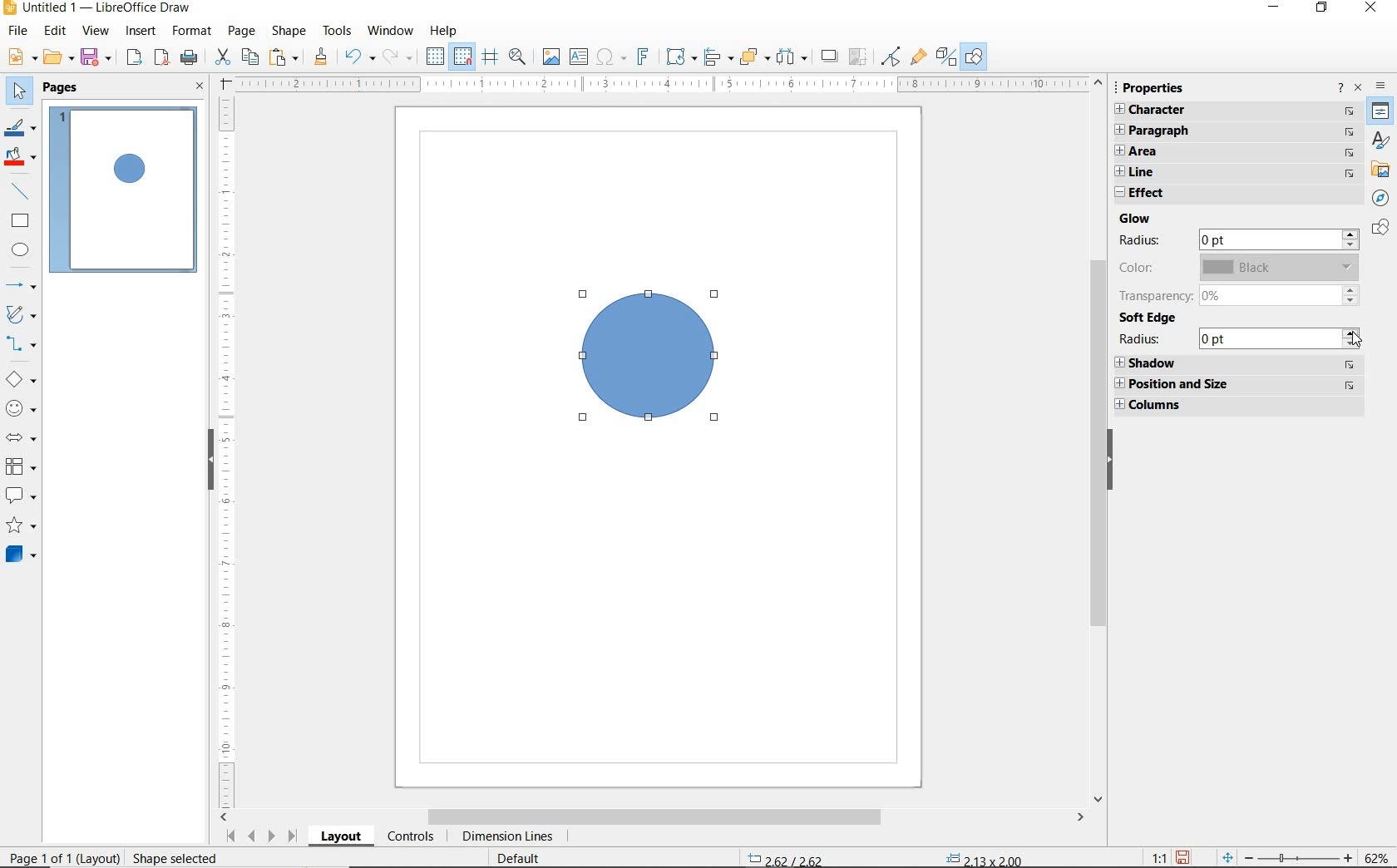 The width and height of the screenshot is (1397, 868). Describe the element at coordinates (1352, 240) in the screenshot. I see `increase/decrease arrows` at that location.